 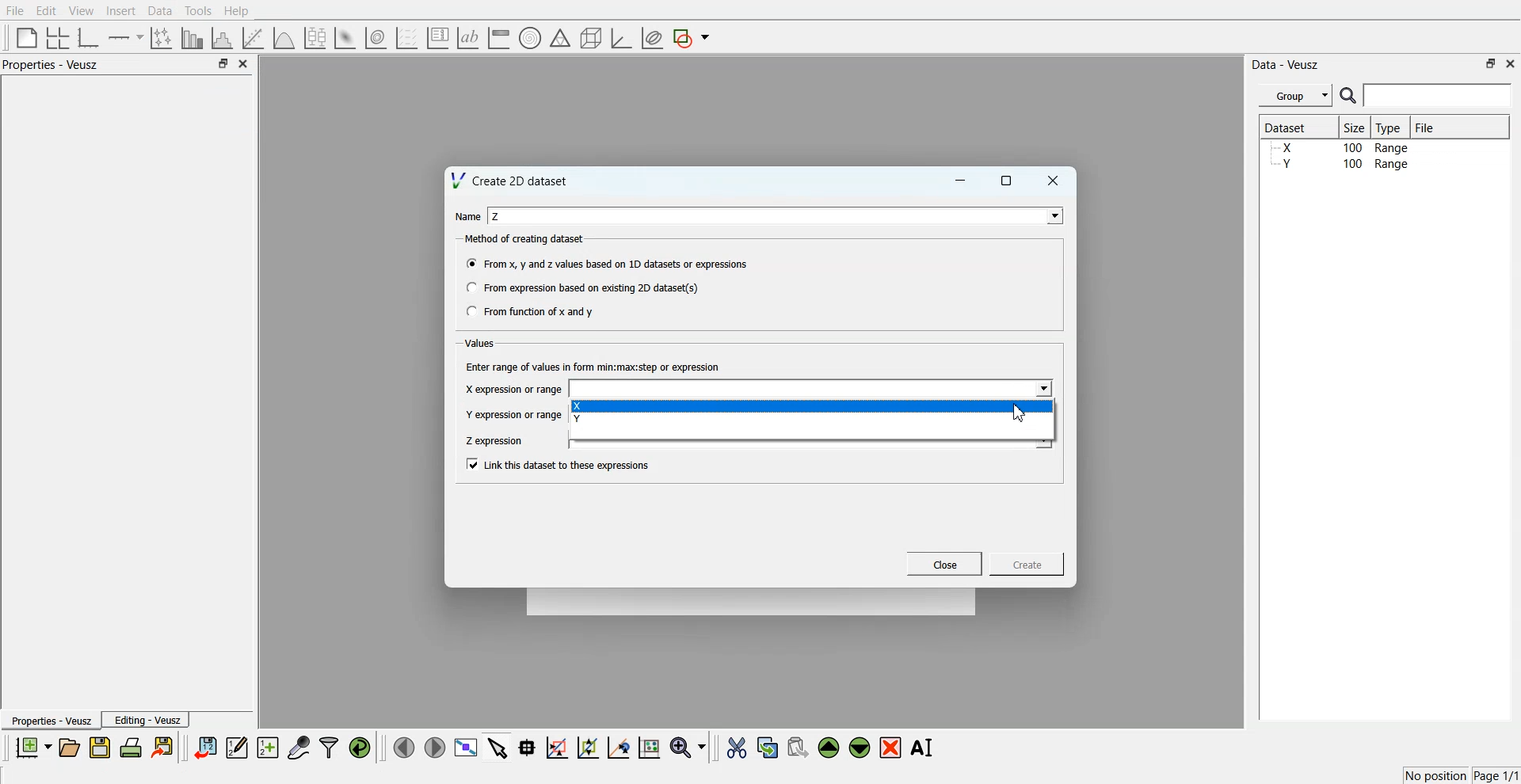 What do you see at coordinates (829, 748) in the screenshot?
I see `Move up the selected widget` at bounding box center [829, 748].